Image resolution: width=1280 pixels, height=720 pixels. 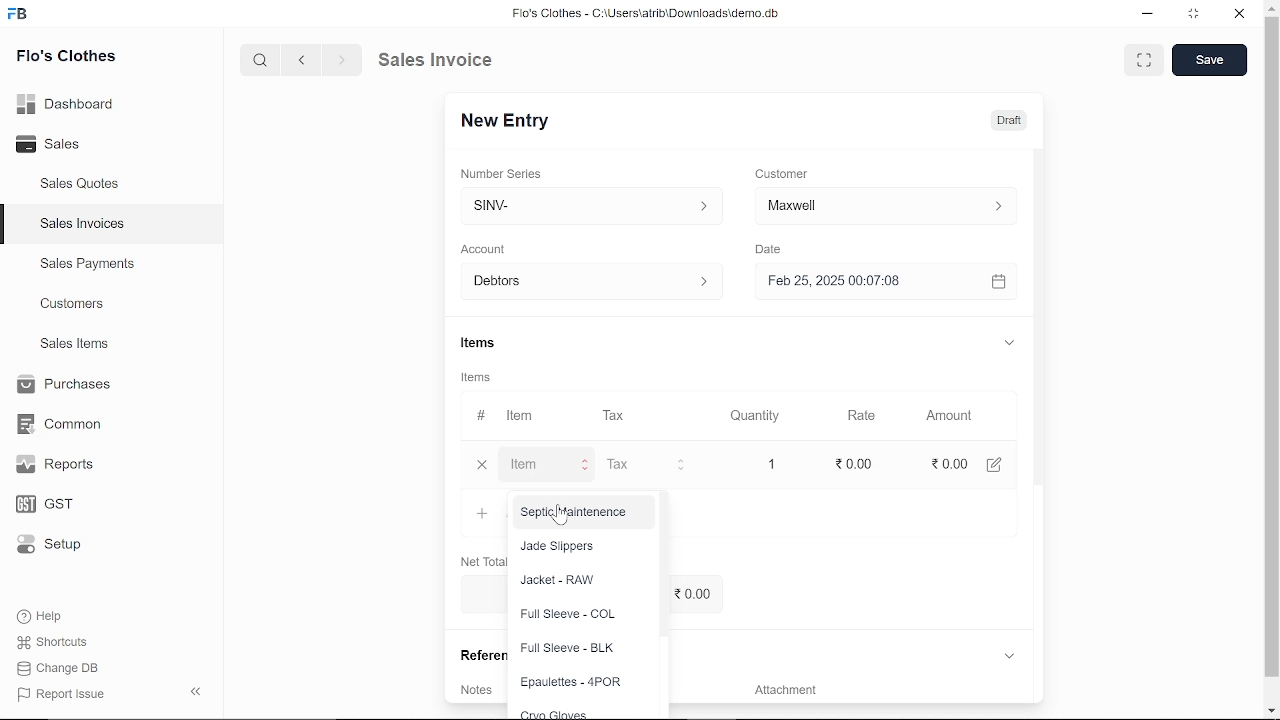 I want to click on Setup, so click(x=54, y=544).